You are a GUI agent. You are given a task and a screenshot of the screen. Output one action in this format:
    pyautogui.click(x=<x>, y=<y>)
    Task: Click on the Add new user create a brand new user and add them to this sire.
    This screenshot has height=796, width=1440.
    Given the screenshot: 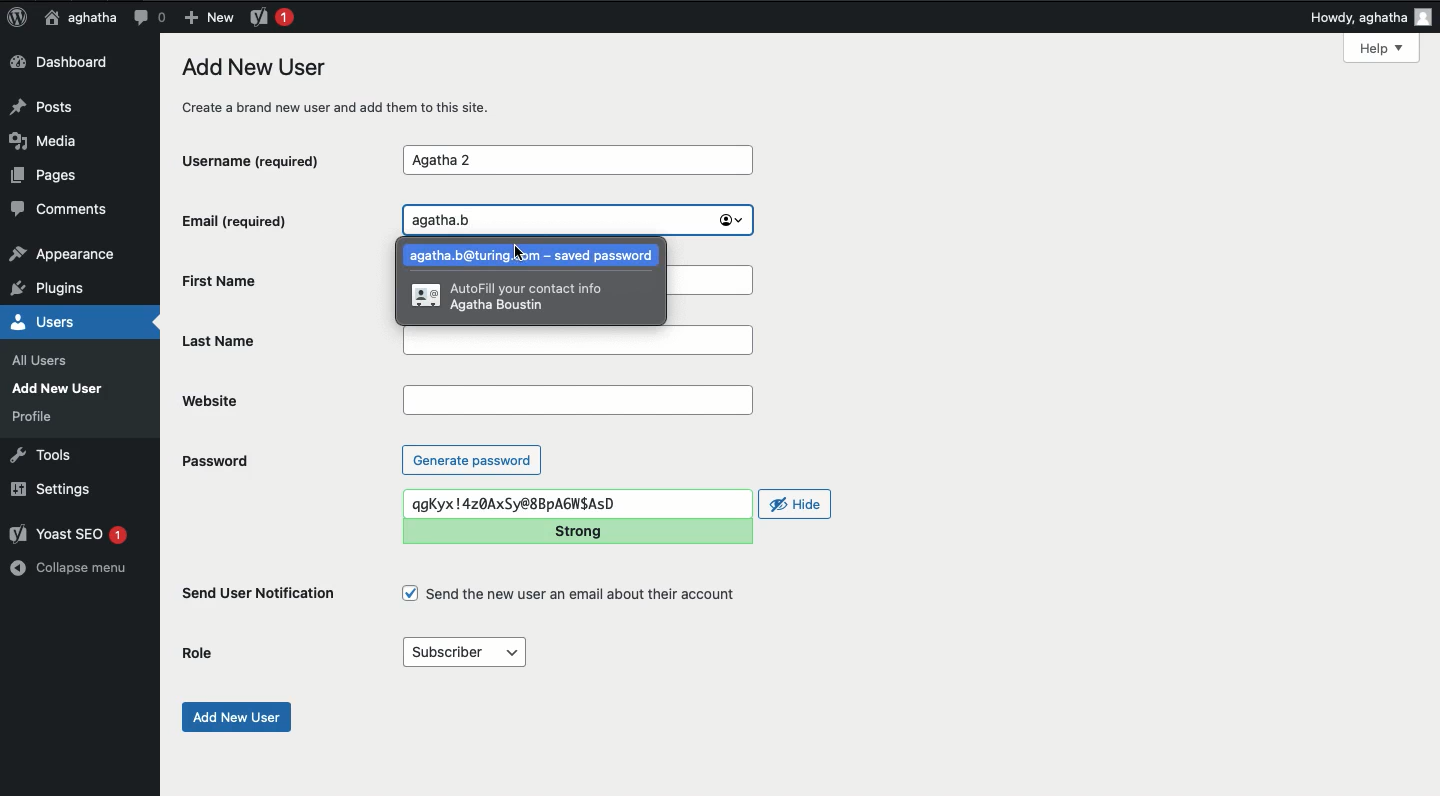 What is the action you would take?
    pyautogui.click(x=347, y=86)
    